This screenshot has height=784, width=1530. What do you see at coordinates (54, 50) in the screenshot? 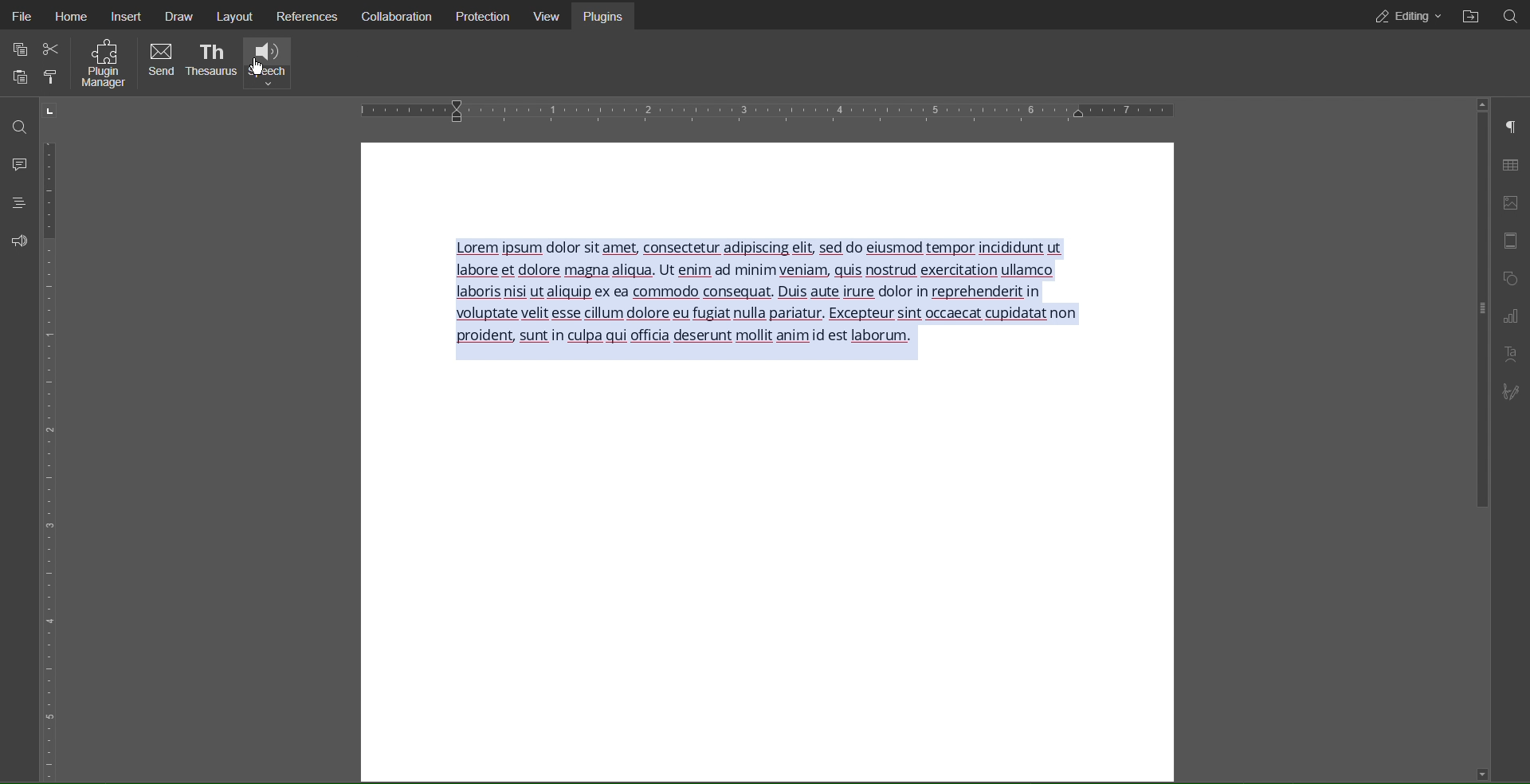
I see `Cut` at bounding box center [54, 50].